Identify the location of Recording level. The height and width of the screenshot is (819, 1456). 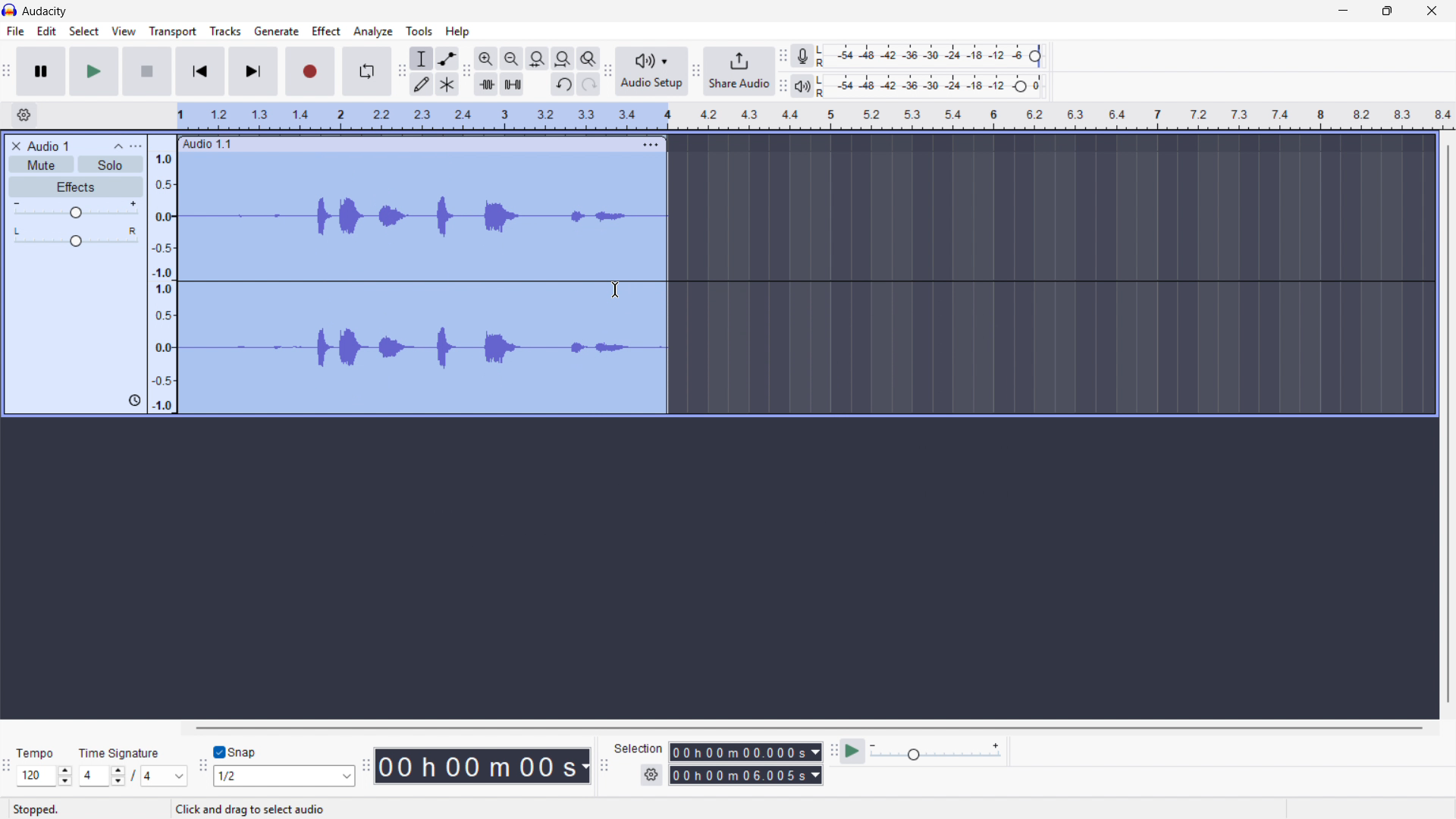
(934, 56).